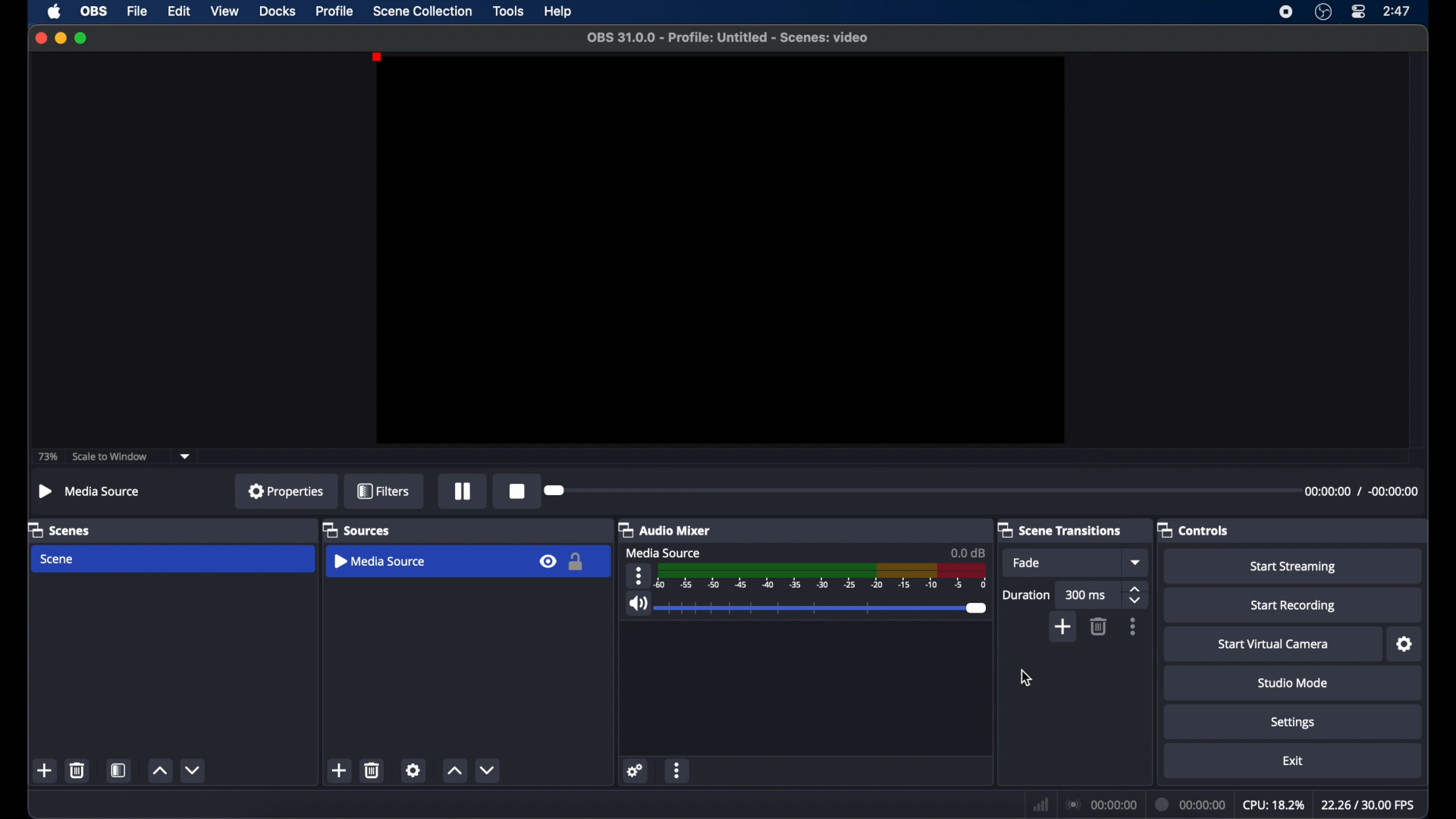 This screenshot has width=1456, height=819. I want to click on fps, so click(1368, 804).